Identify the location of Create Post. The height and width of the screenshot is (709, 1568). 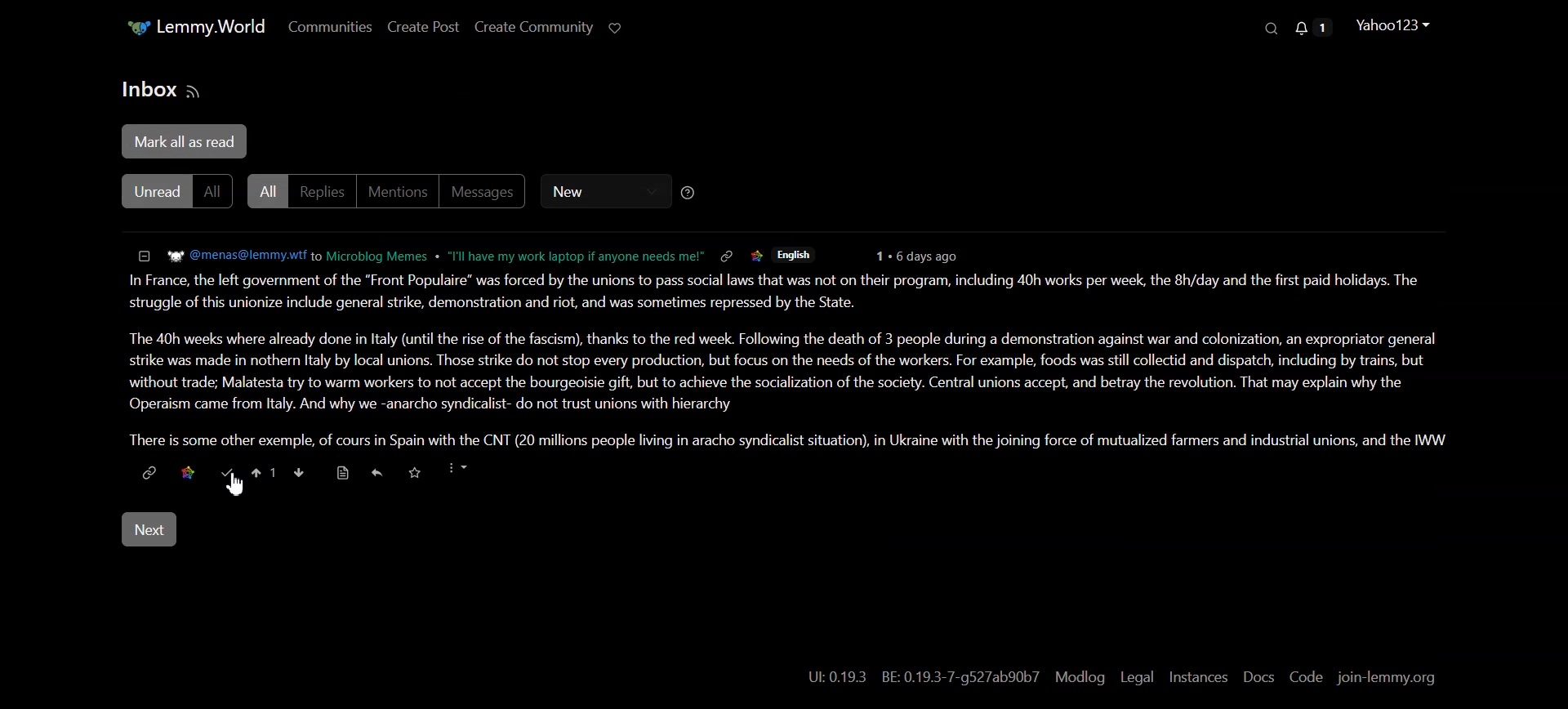
(415, 28).